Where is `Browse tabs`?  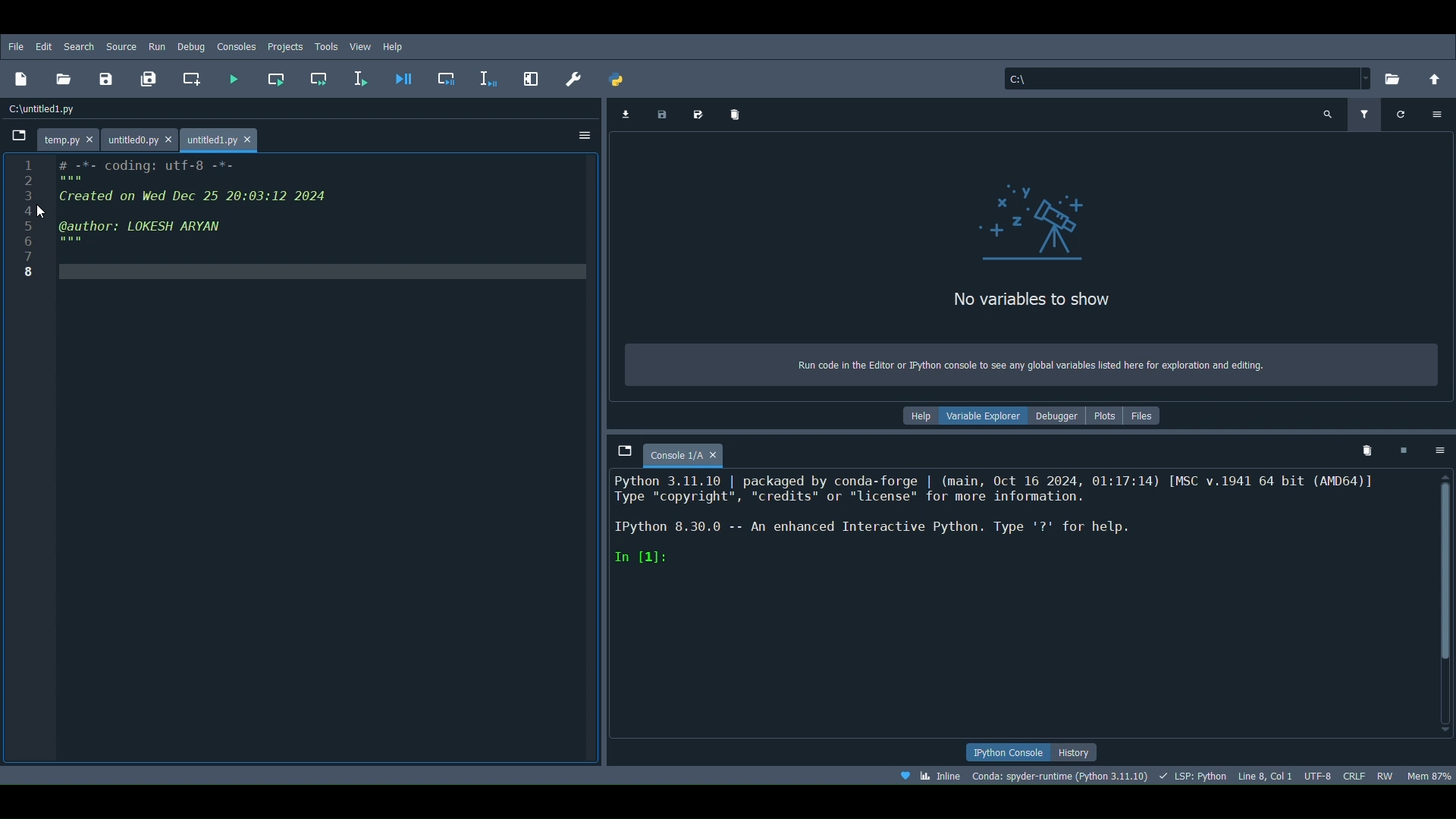 Browse tabs is located at coordinates (17, 137).